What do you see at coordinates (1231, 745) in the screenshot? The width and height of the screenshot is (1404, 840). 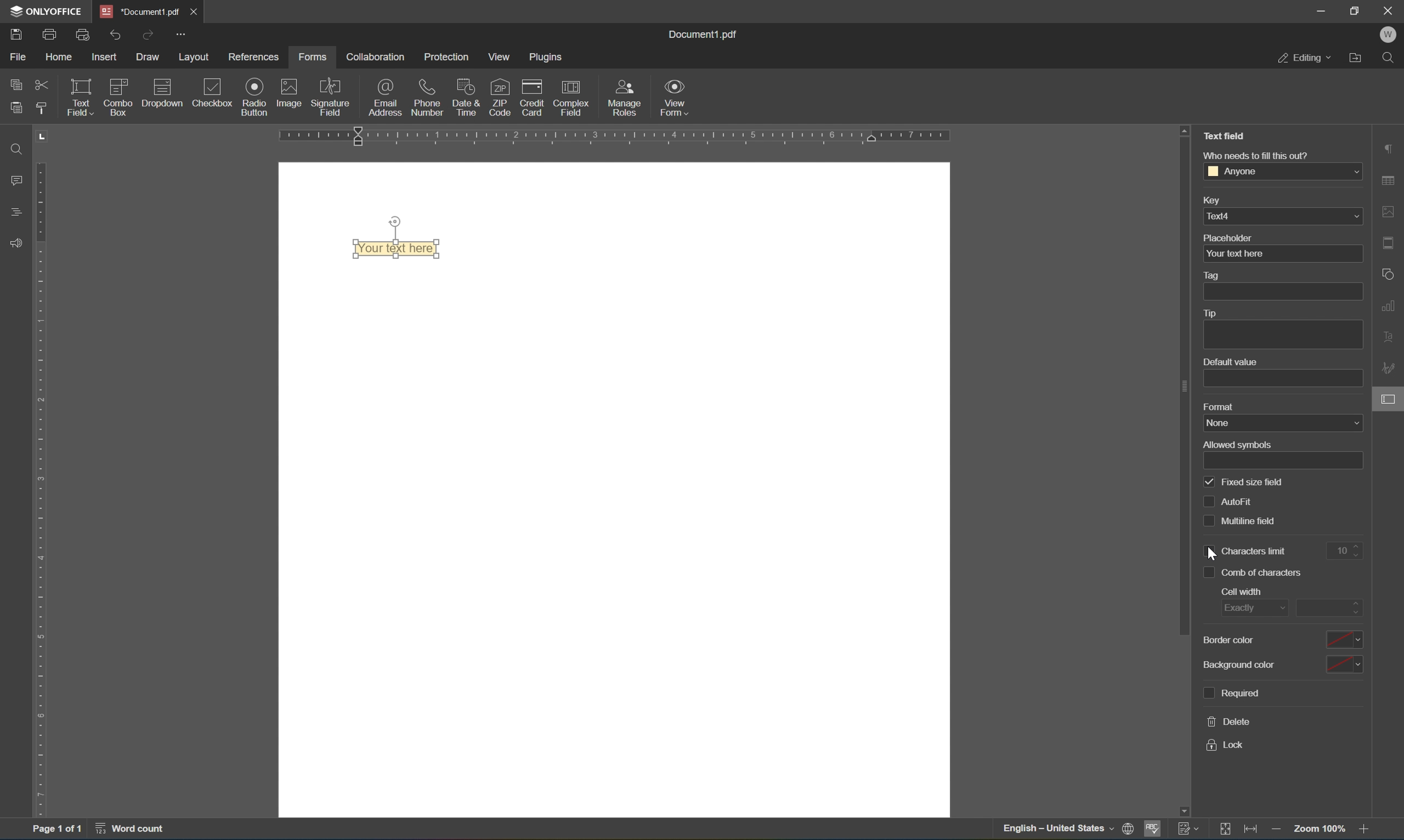 I see `lock` at bounding box center [1231, 745].